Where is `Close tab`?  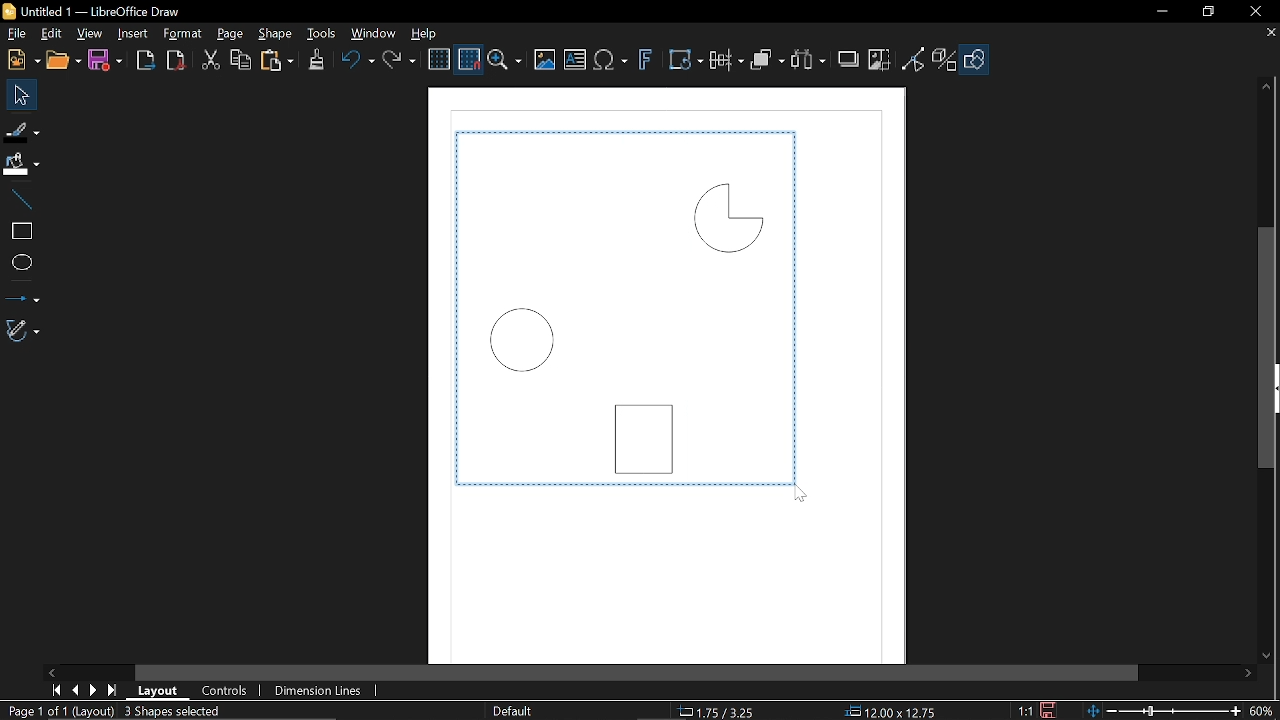
Close tab is located at coordinates (1287, 34).